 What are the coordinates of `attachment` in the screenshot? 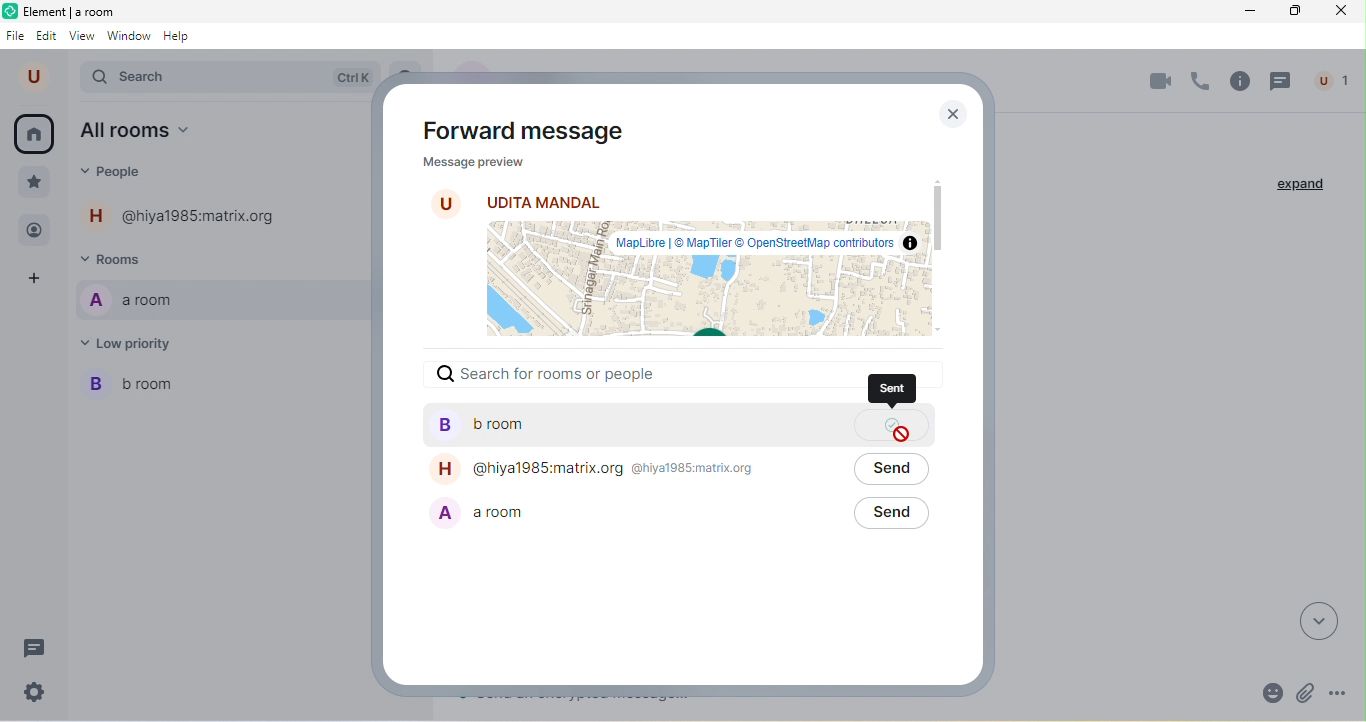 It's located at (1309, 691).